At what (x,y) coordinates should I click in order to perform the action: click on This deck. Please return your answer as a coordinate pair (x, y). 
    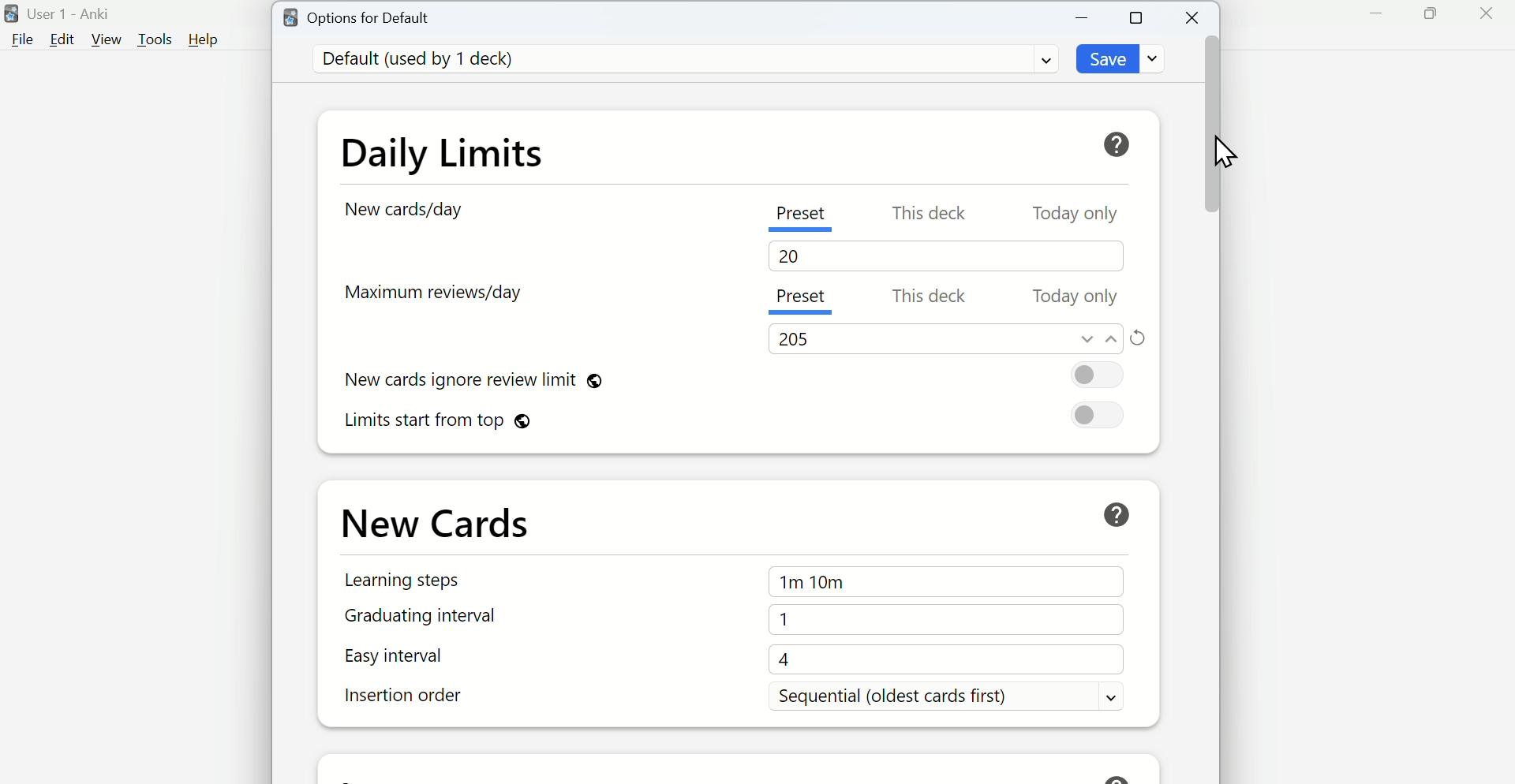
    Looking at the image, I should click on (930, 217).